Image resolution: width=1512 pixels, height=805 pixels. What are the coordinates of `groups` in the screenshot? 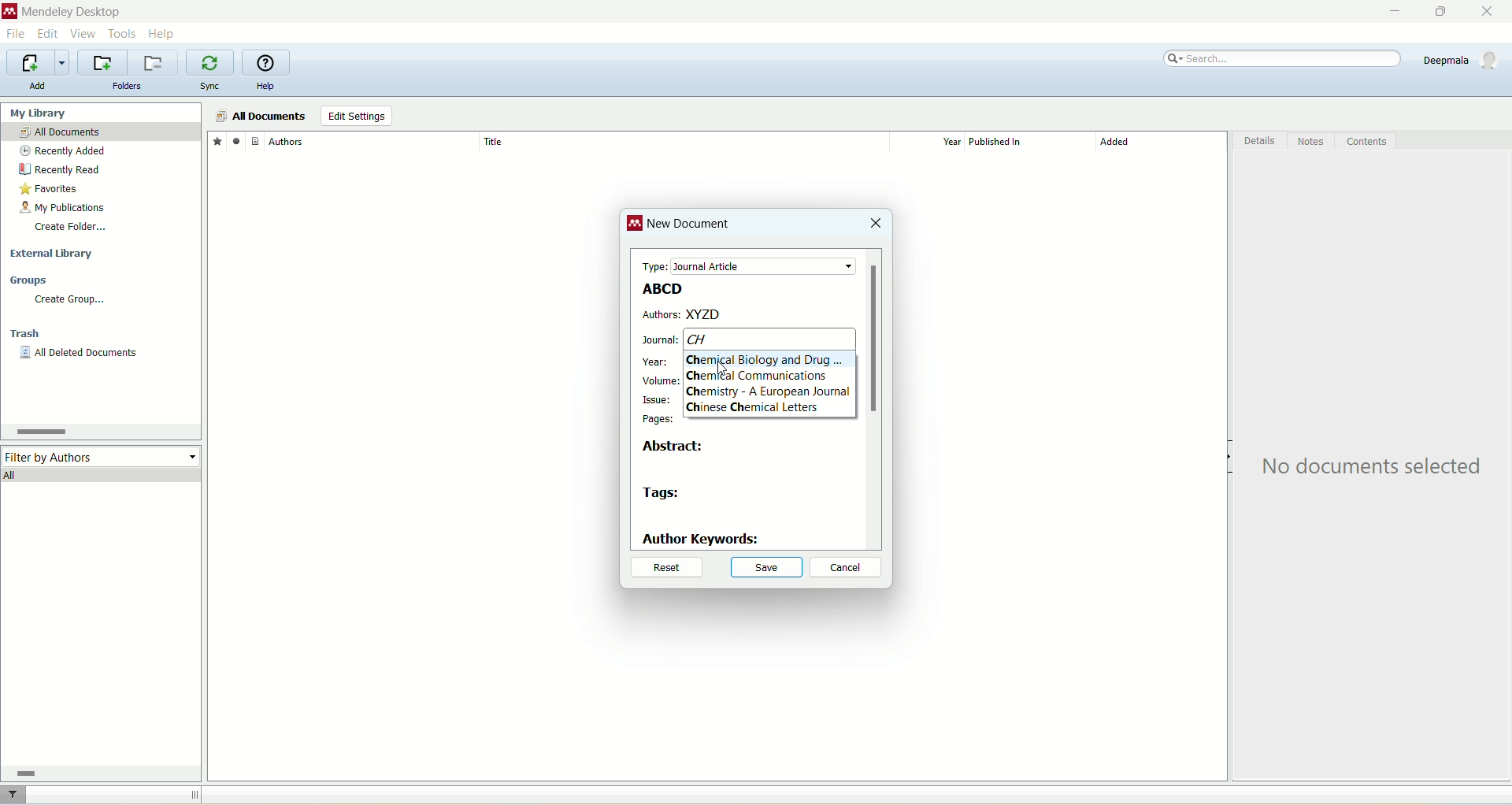 It's located at (30, 281).